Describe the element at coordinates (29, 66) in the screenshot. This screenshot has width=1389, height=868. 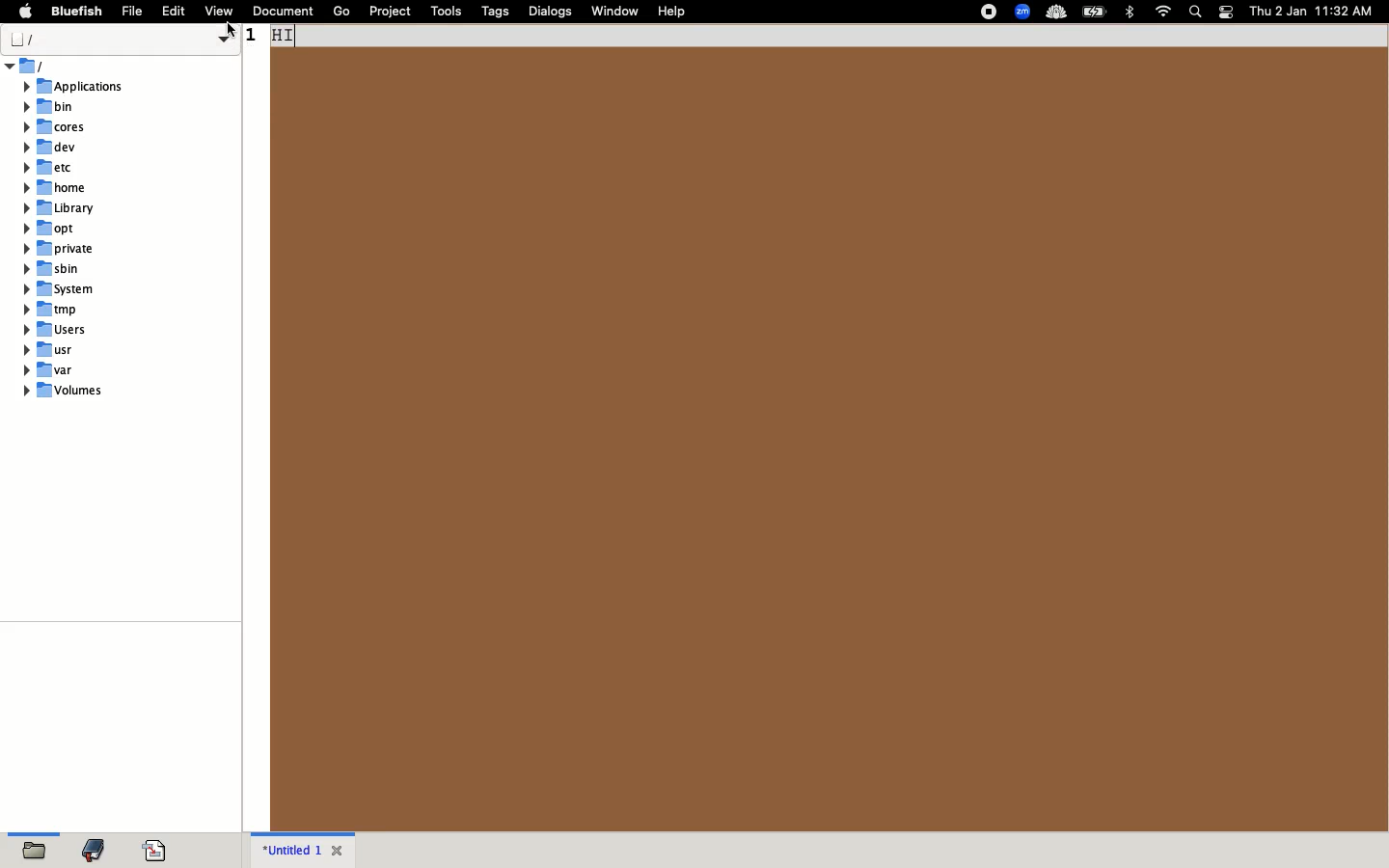
I see `users` at that location.